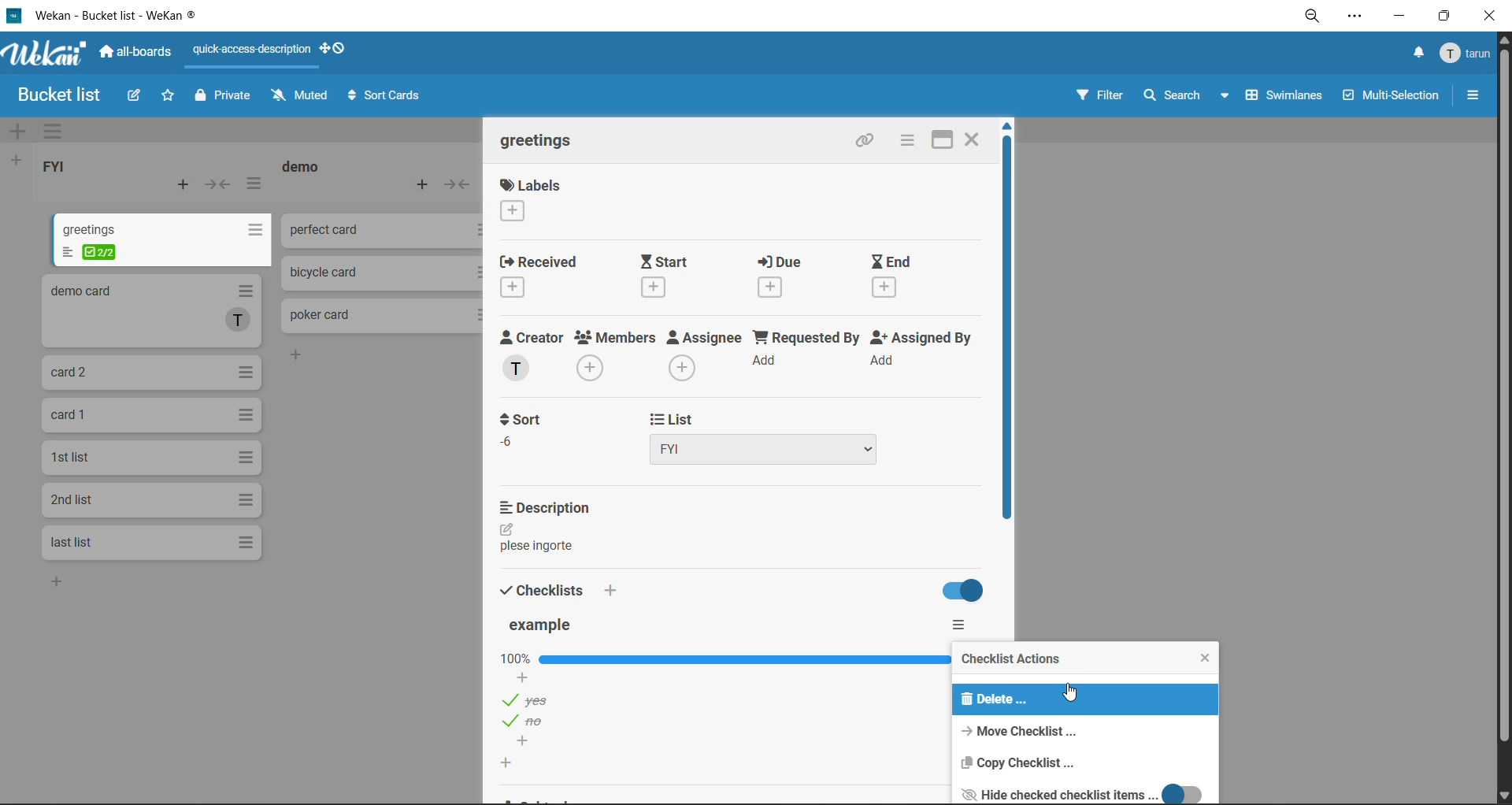 Image resolution: width=1512 pixels, height=805 pixels. What do you see at coordinates (1185, 95) in the screenshot?
I see `search` at bounding box center [1185, 95].